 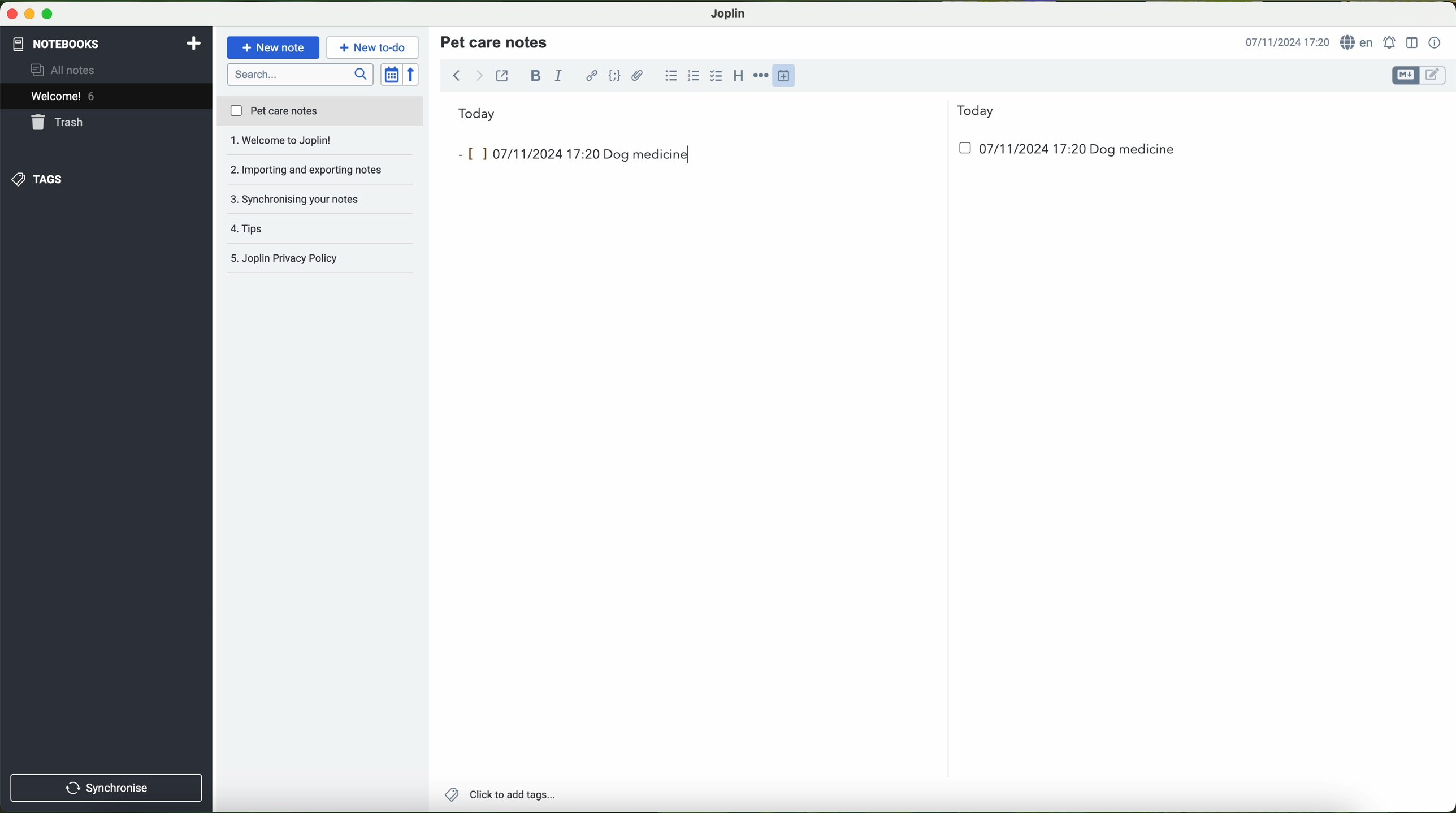 What do you see at coordinates (274, 47) in the screenshot?
I see `new note button` at bounding box center [274, 47].